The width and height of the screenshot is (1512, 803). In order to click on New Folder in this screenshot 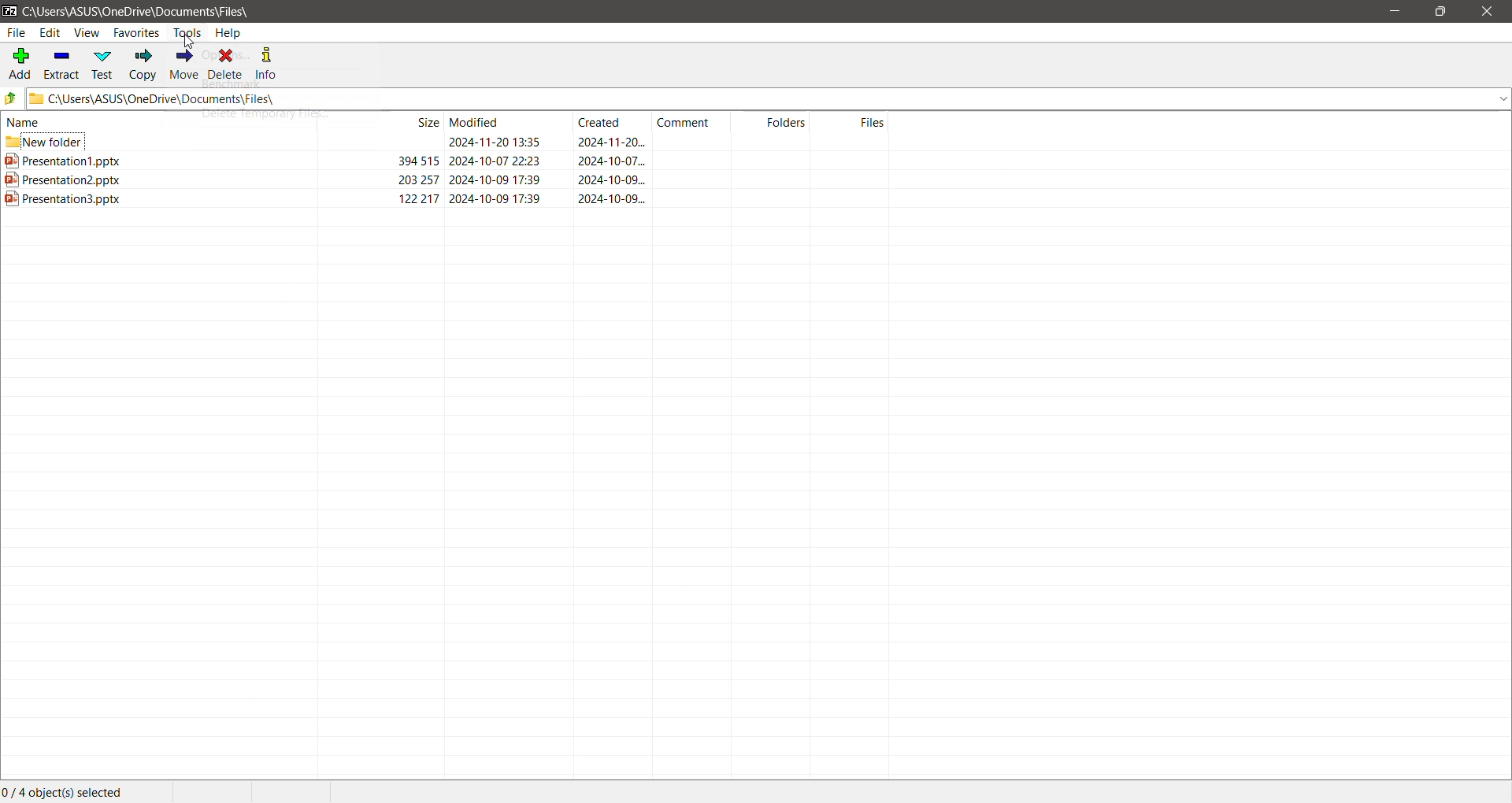, I will do `click(449, 140)`.